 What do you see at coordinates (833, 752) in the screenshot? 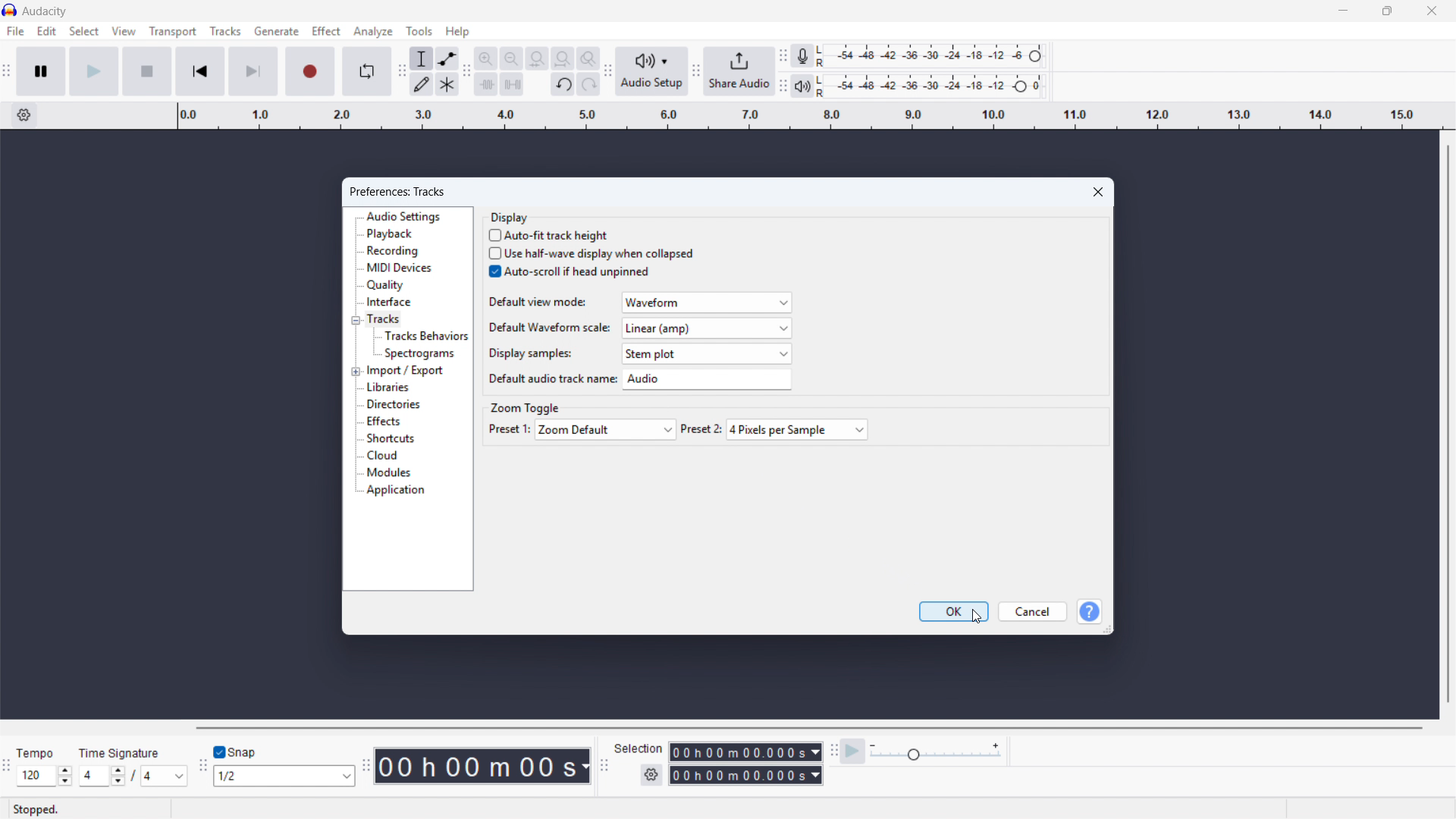
I see `play at speed toolbar` at bounding box center [833, 752].